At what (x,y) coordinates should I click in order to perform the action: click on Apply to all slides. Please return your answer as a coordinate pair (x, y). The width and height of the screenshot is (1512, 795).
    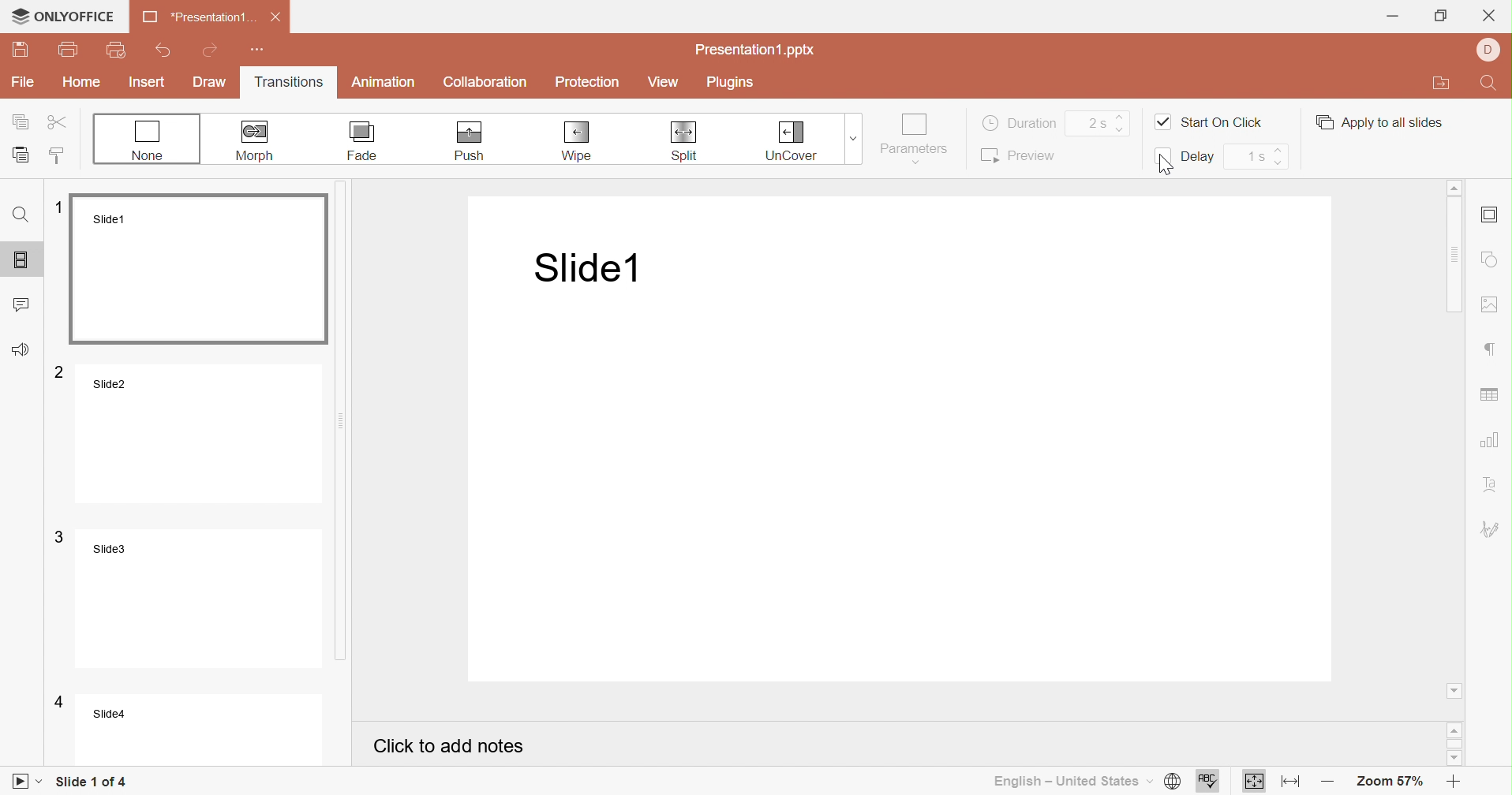
    Looking at the image, I should click on (1376, 121).